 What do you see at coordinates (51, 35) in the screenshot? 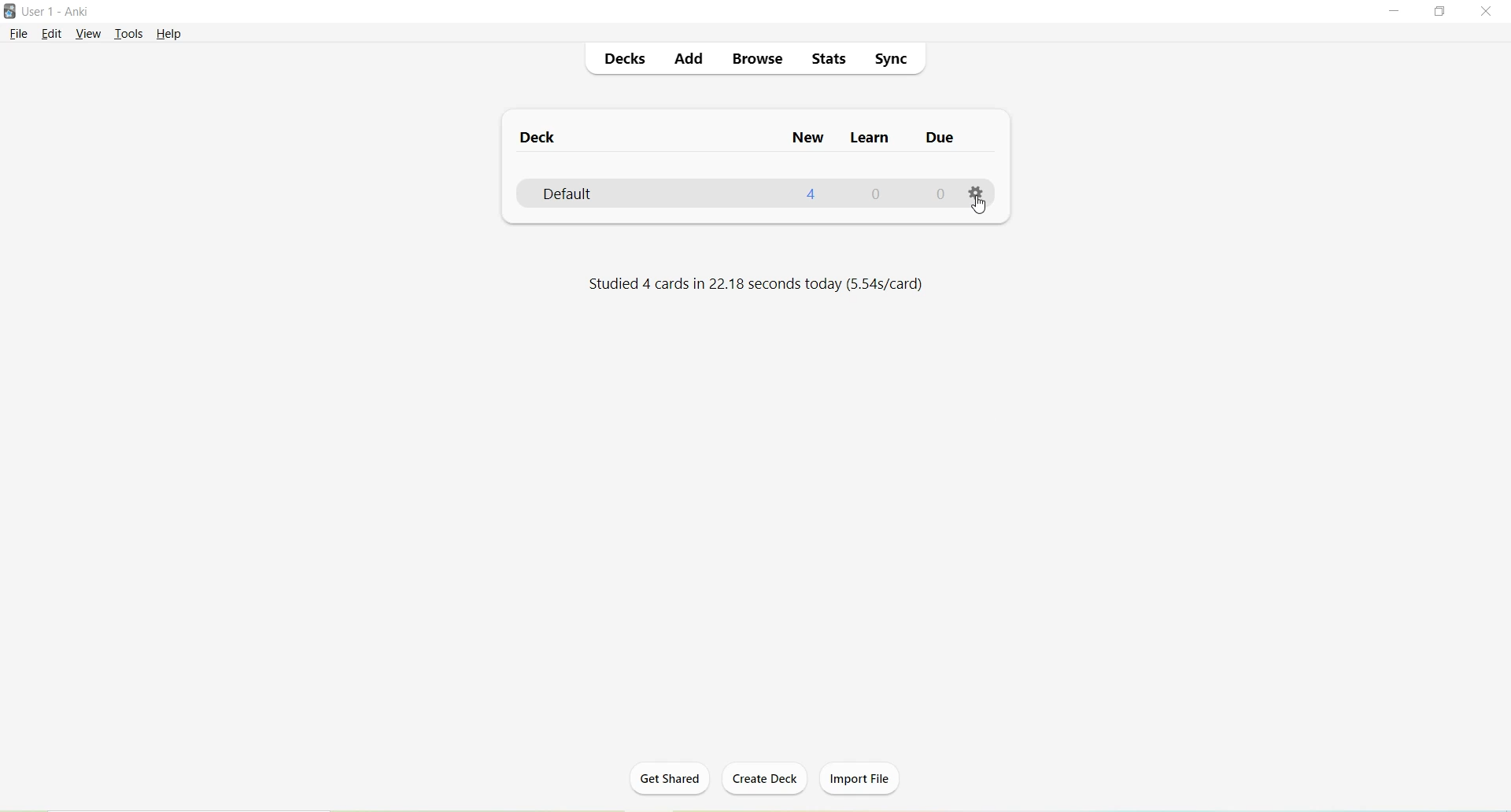
I see `Edit` at bounding box center [51, 35].